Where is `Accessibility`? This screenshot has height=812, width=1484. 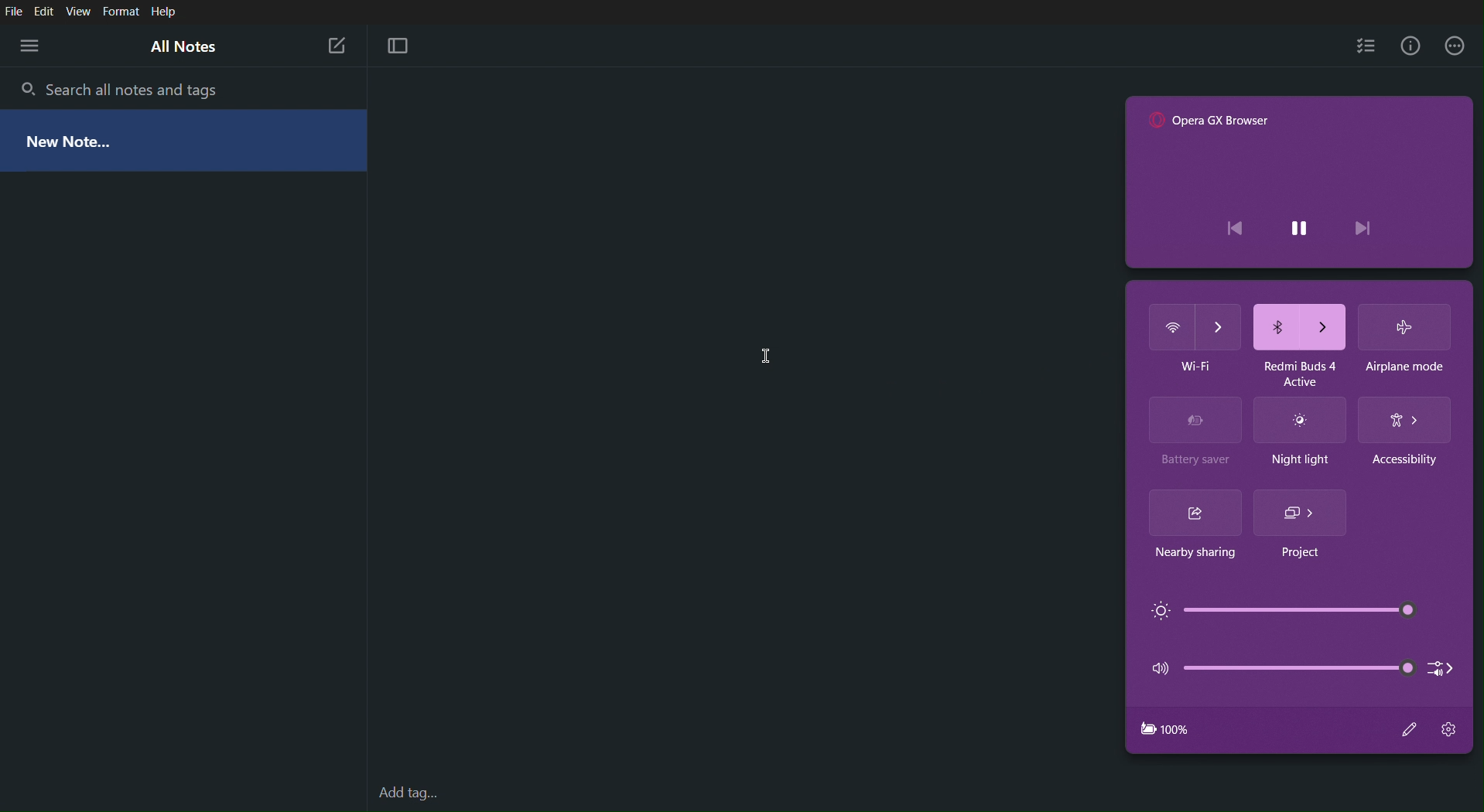
Accessibility is located at coordinates (1406, 419).